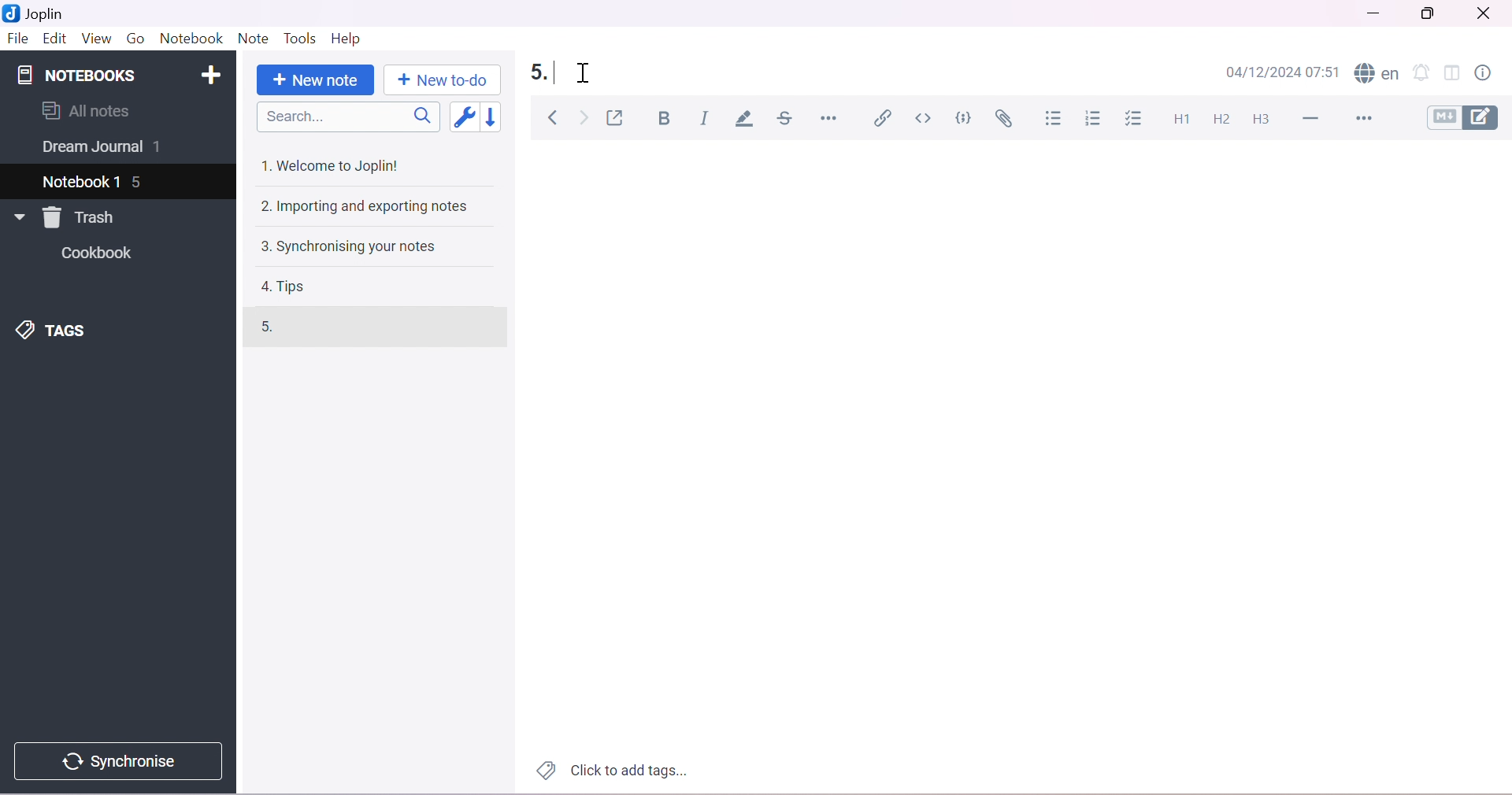 The height and width of the screenshot is (795, 1512). I want to click on Cookbook, so click(101, 255).